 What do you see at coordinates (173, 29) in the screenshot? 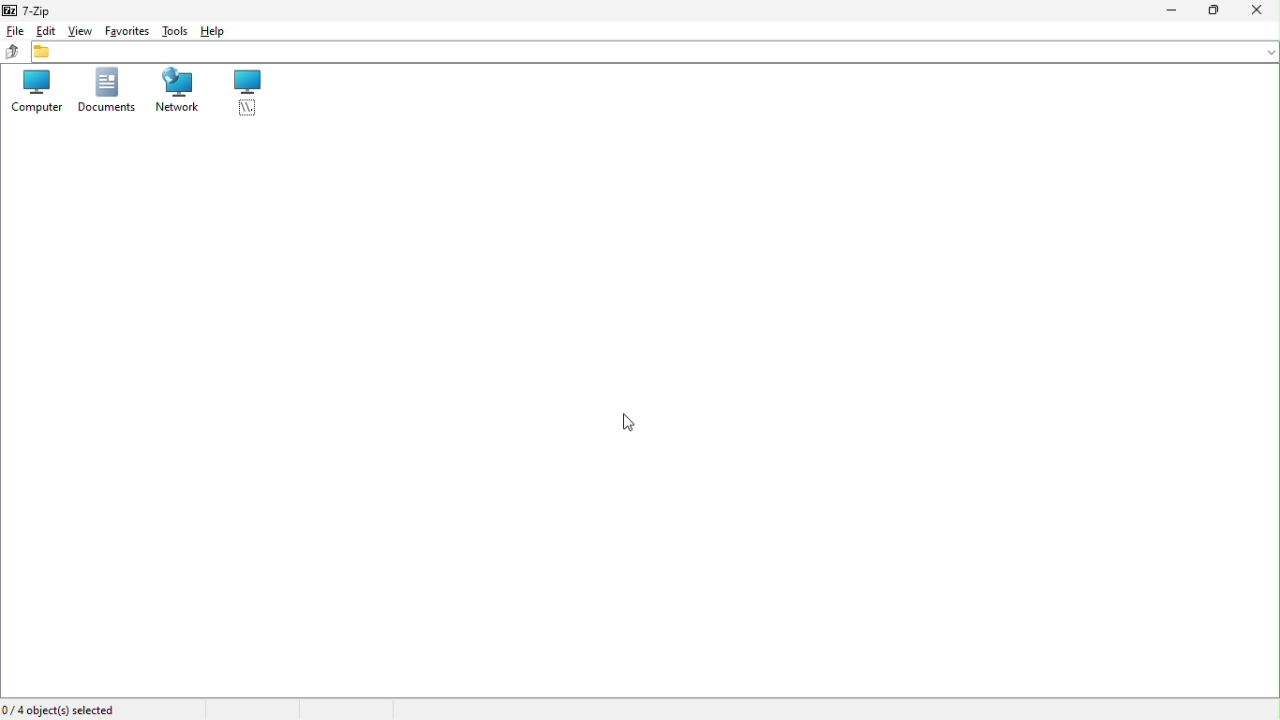
I see `Tools` at bounding box center [173, 29].